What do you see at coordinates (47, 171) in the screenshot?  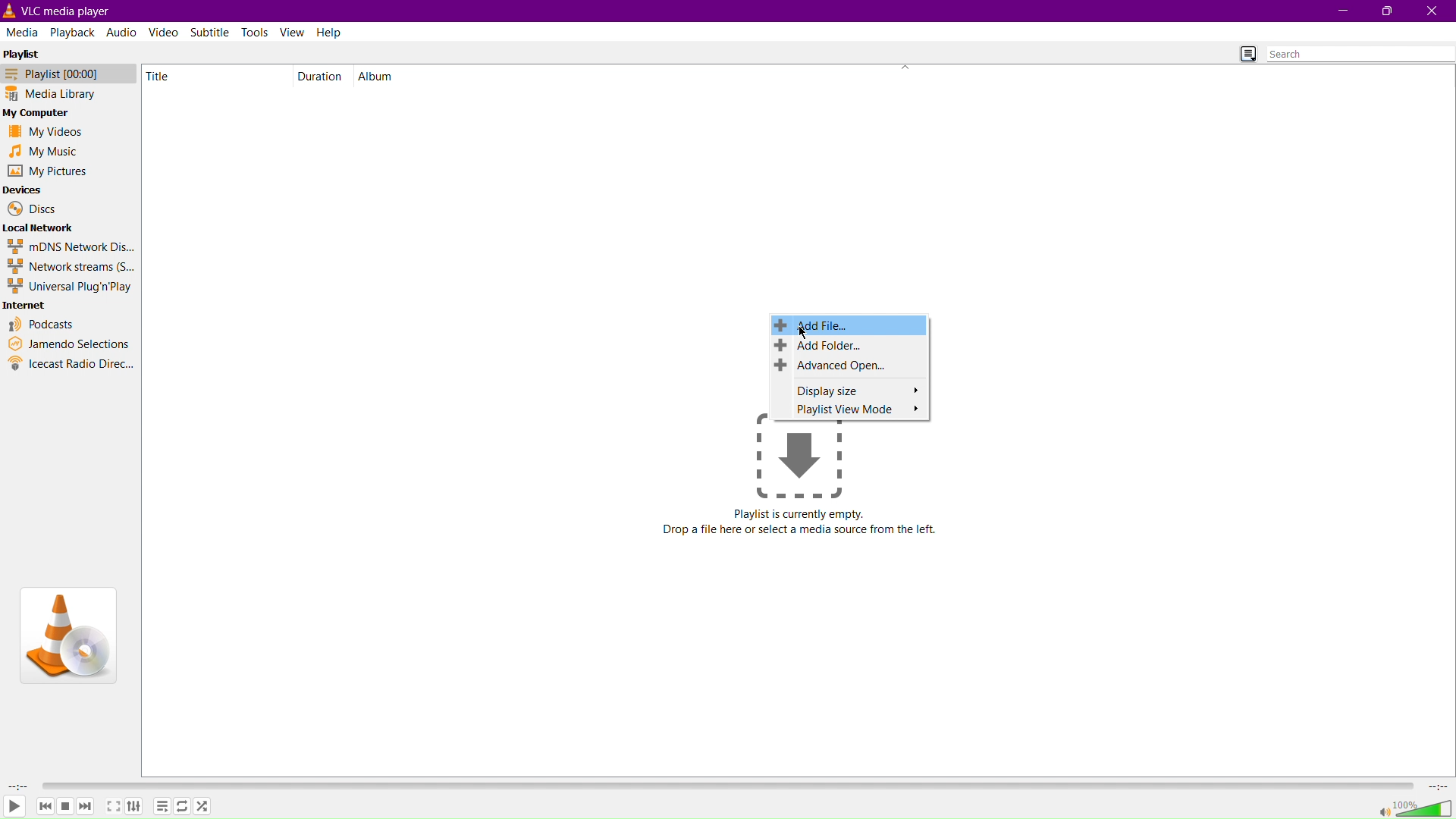 I see `My Pictures` at bounding box center [47, 171].